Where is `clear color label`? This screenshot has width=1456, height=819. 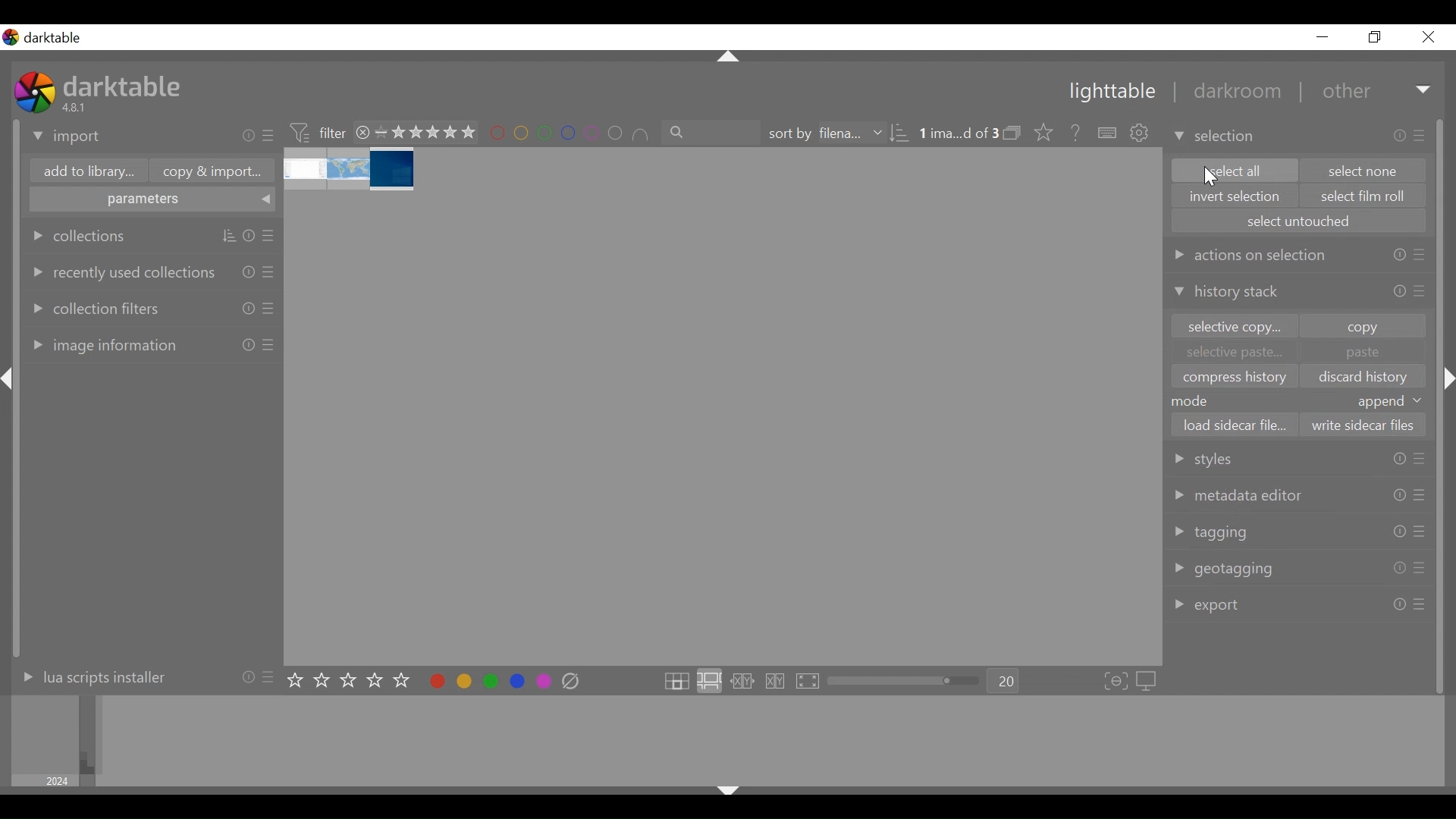 clear color label is located at coordinates (575, 682).